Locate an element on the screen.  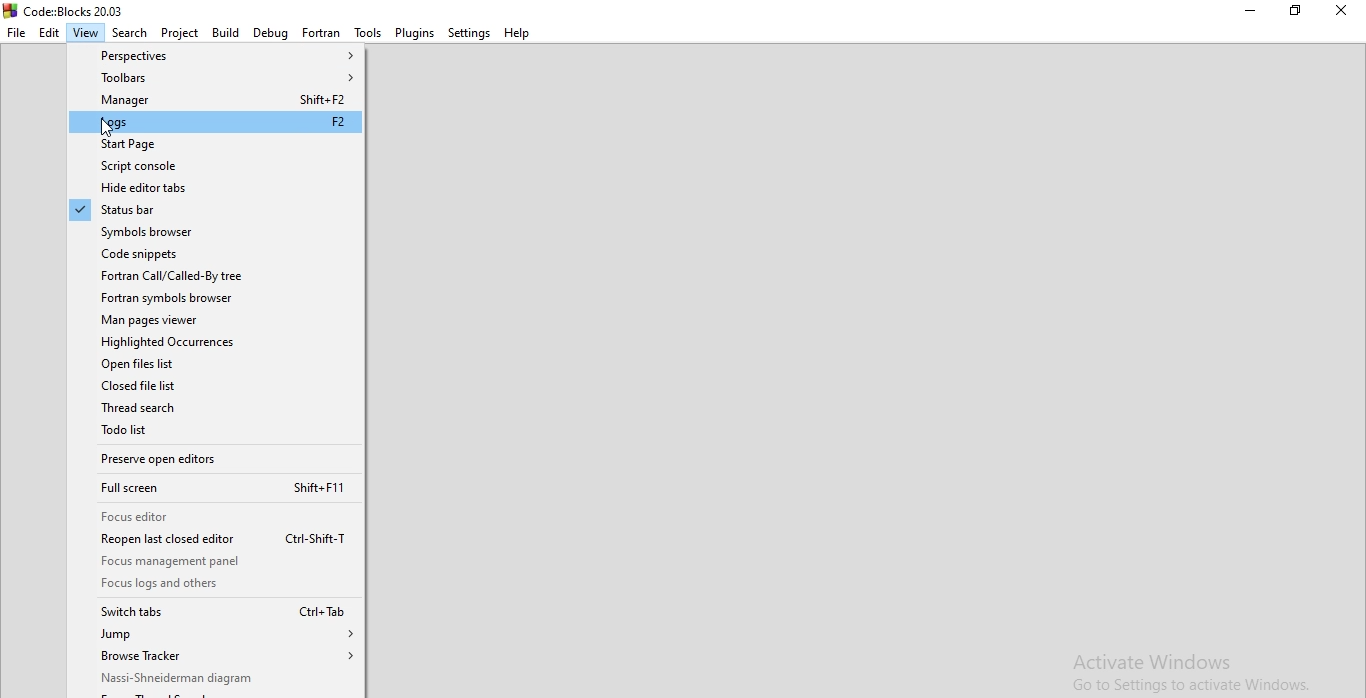
Todo list is located at coordinates (218, 430).